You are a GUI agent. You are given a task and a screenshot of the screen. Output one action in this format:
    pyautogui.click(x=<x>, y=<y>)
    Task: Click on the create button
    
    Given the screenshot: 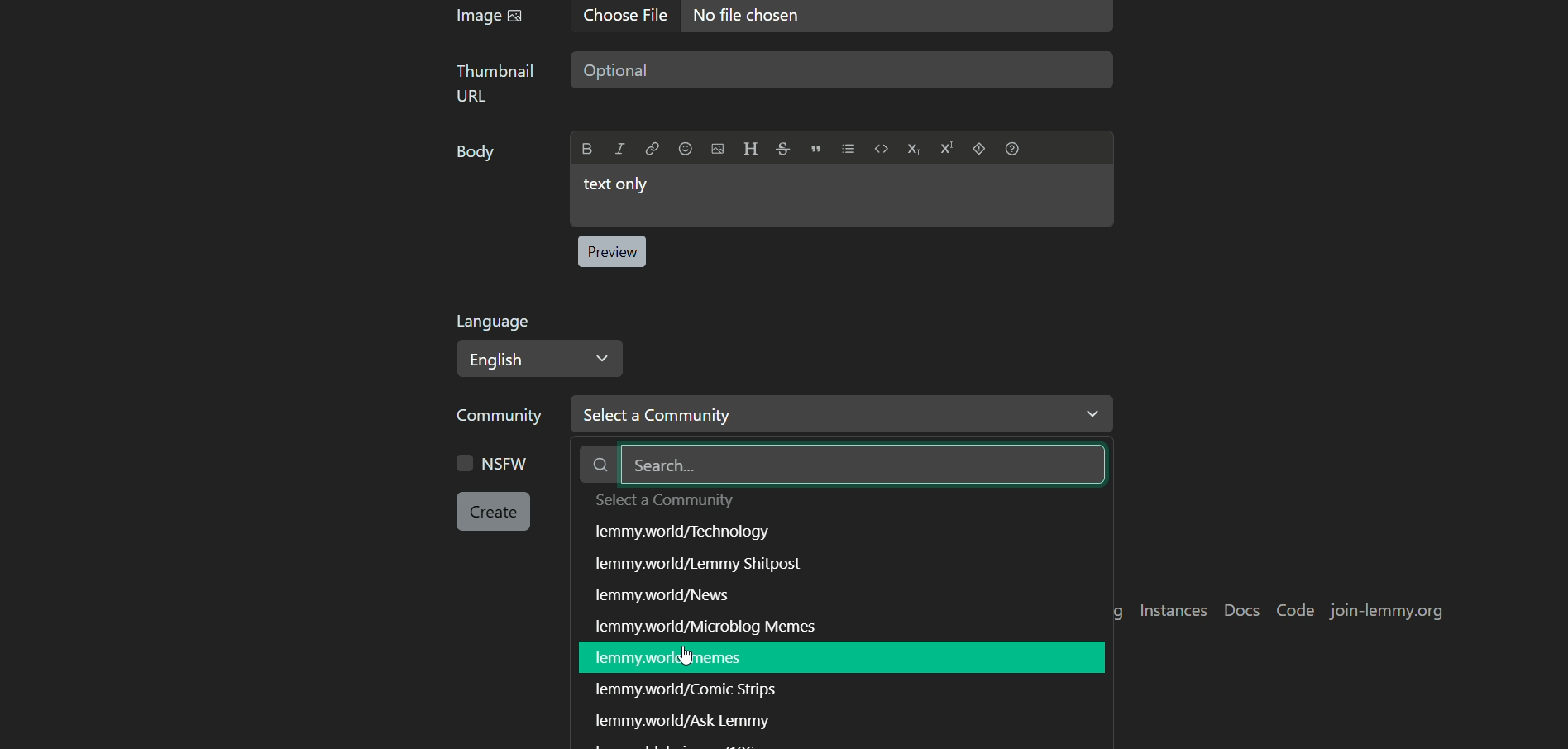 What is the action you would take?
    pyautogui.click(x=494, y=512)
    